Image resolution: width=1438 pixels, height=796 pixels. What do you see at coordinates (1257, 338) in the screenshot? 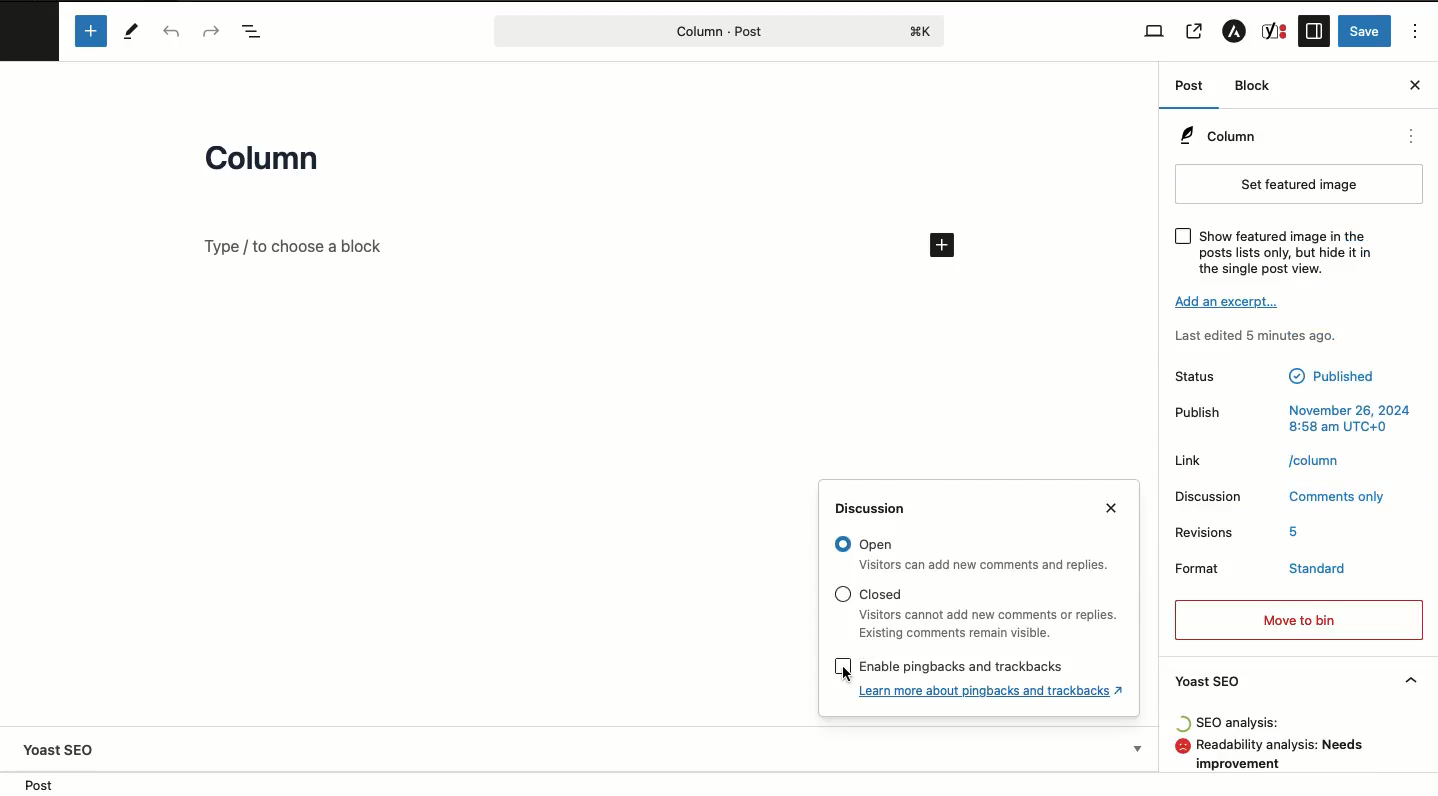
I see `Last edited` at bounding box center [1257, 338].